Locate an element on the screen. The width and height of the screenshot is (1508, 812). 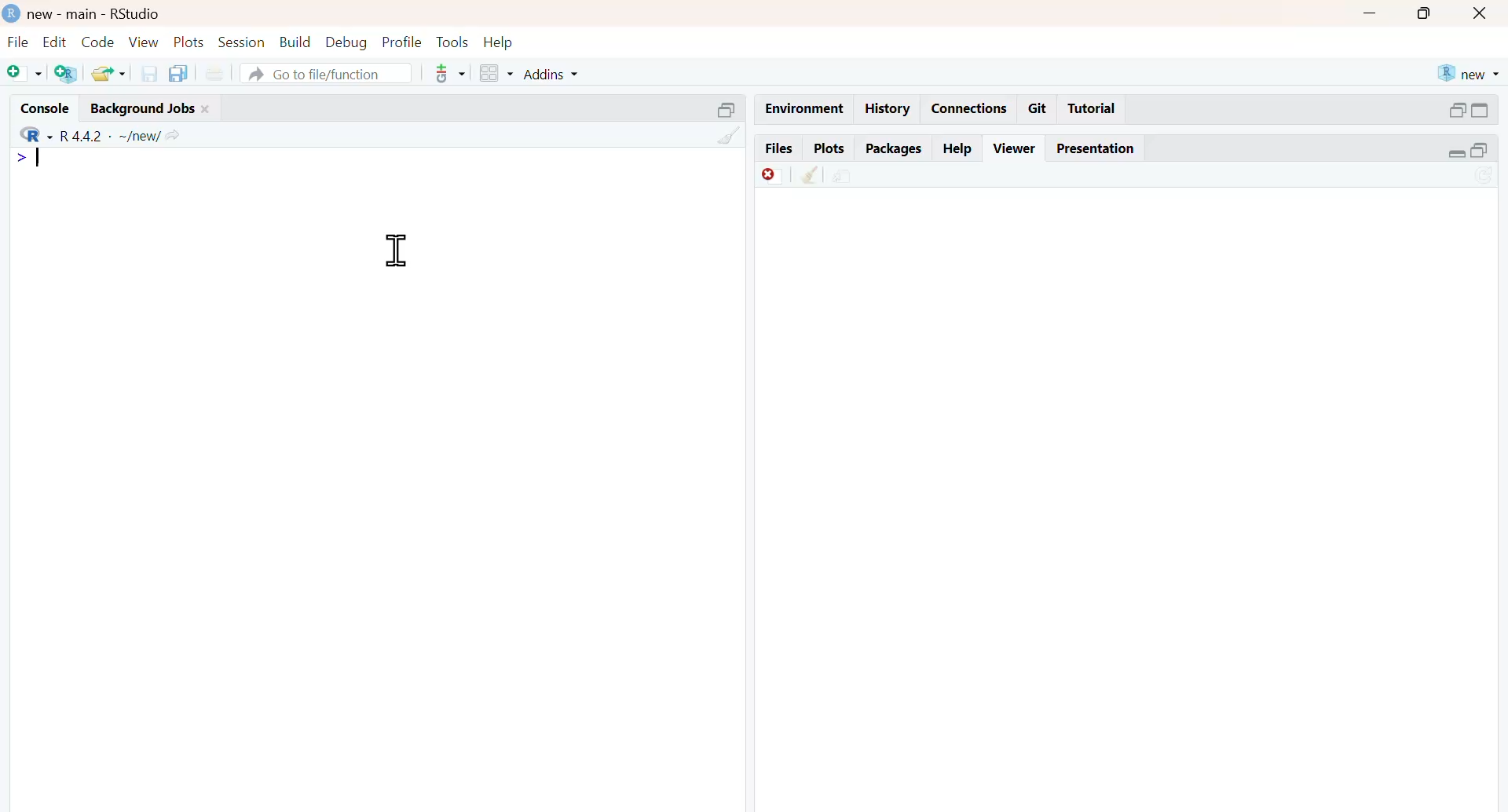
code is located at coordinates (99, 42).